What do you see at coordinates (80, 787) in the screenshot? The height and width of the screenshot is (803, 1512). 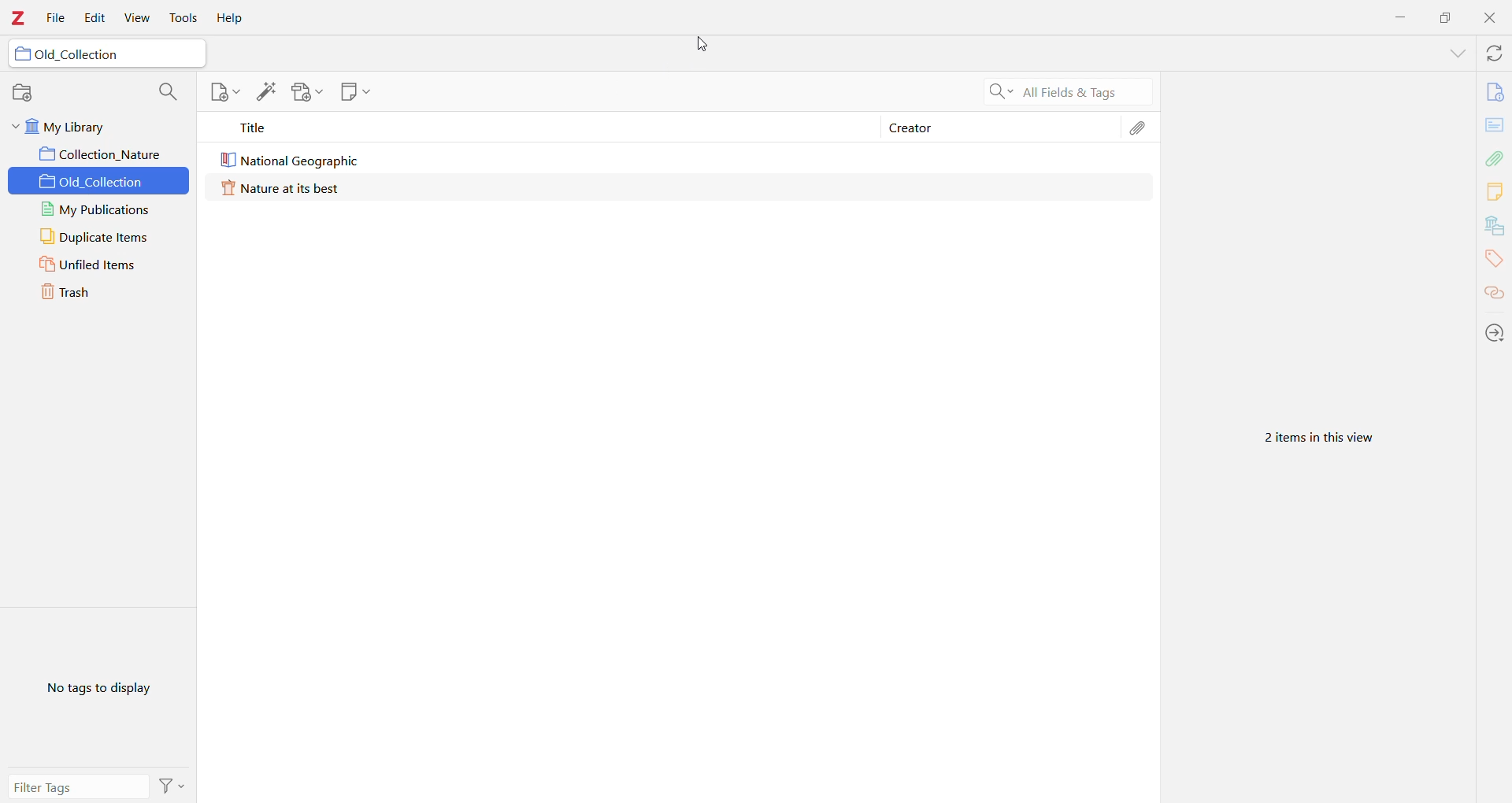 I see `Filter Tags` at bounding box center [80, 787].